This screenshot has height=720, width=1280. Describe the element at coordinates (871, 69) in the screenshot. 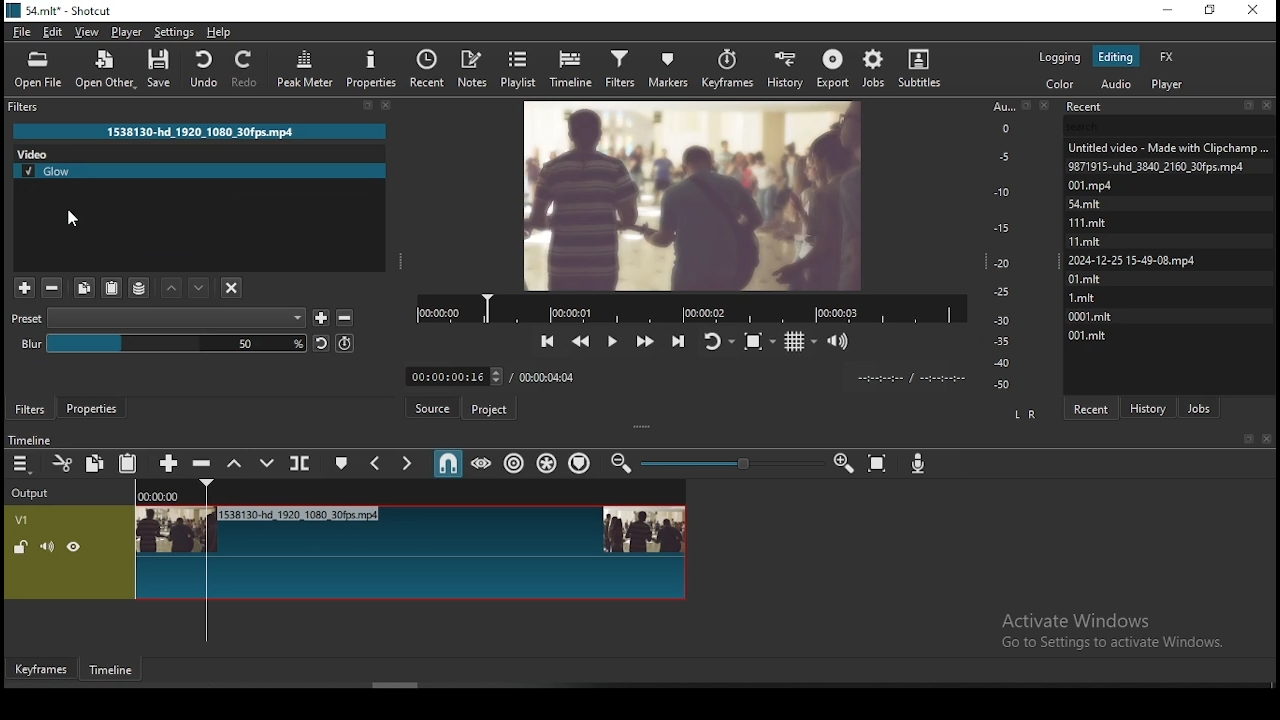

I see `jobs` at that location.